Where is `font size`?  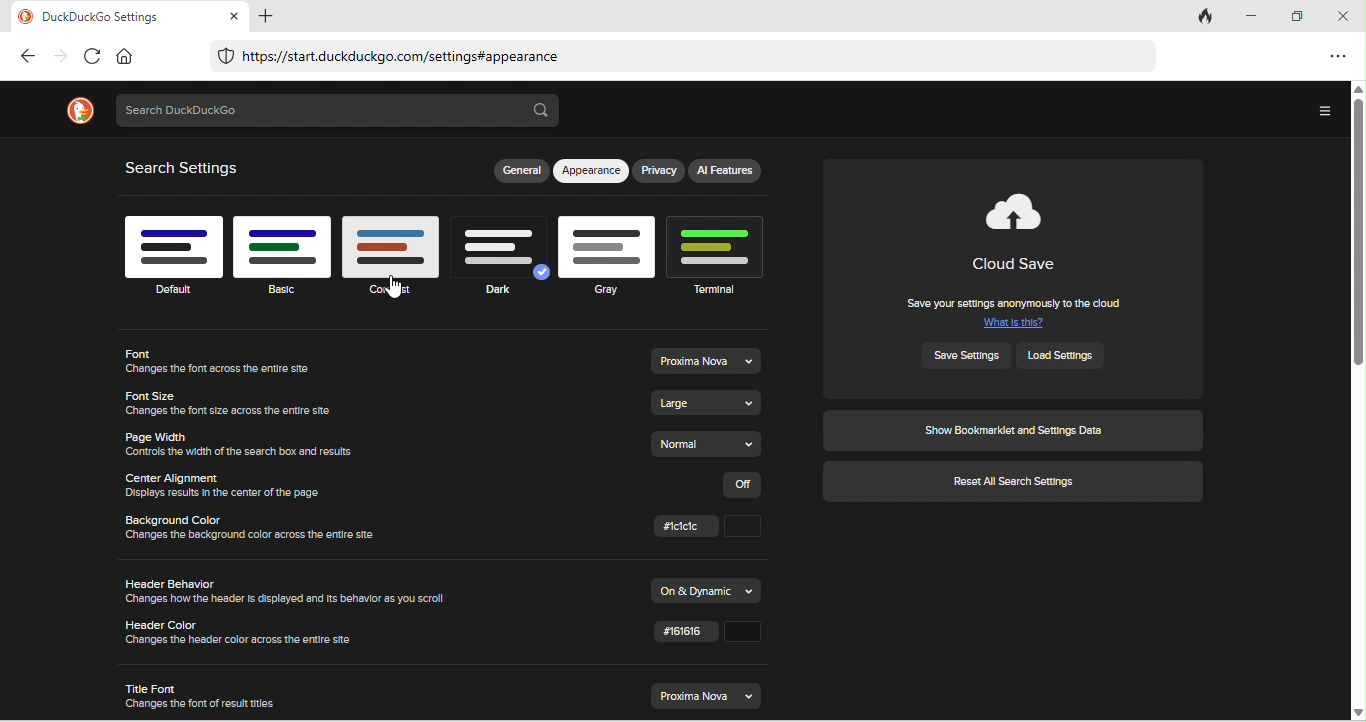
font size is located at coordinates (234, 403).